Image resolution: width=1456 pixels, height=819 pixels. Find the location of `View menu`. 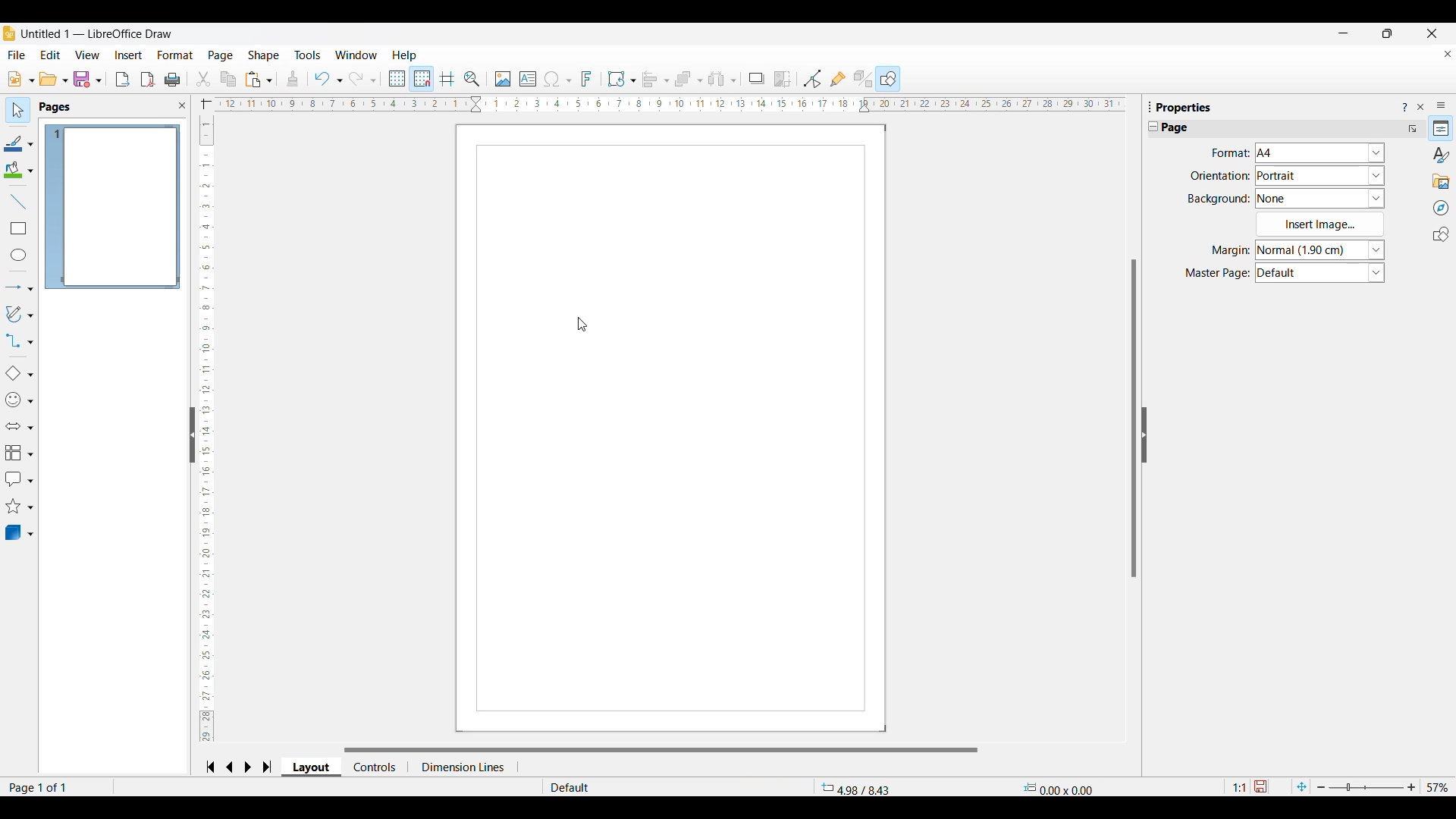

View menu is located at coordinates (87, 55).